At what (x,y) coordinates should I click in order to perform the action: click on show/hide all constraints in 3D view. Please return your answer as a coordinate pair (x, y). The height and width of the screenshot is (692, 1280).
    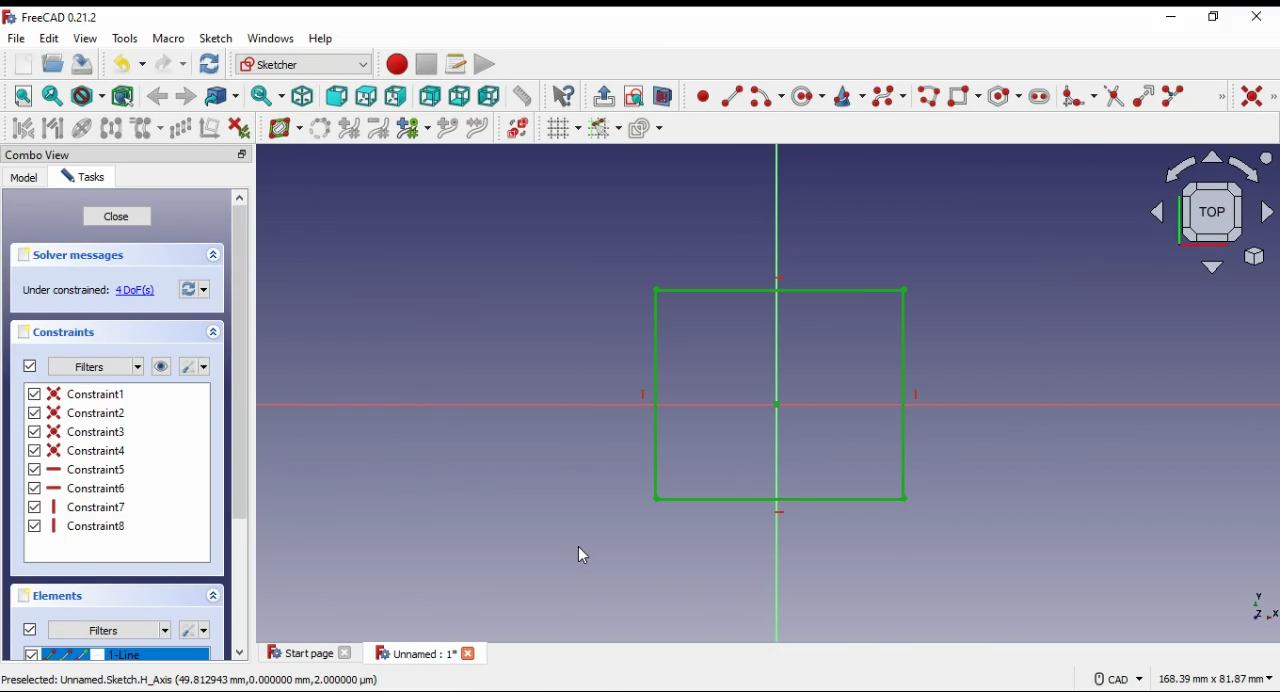
    Looking at the image, I should click on (162, 366).